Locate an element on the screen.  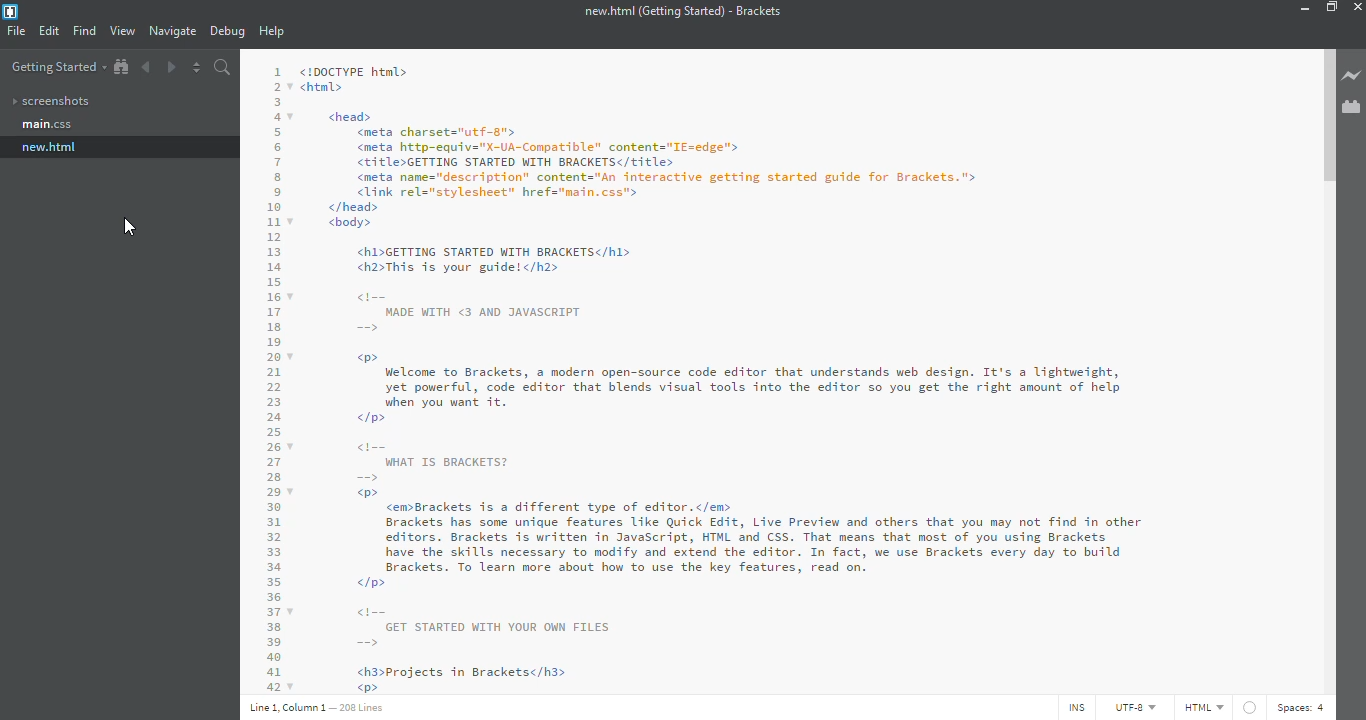
code lines is located at coordinates (270, 374).